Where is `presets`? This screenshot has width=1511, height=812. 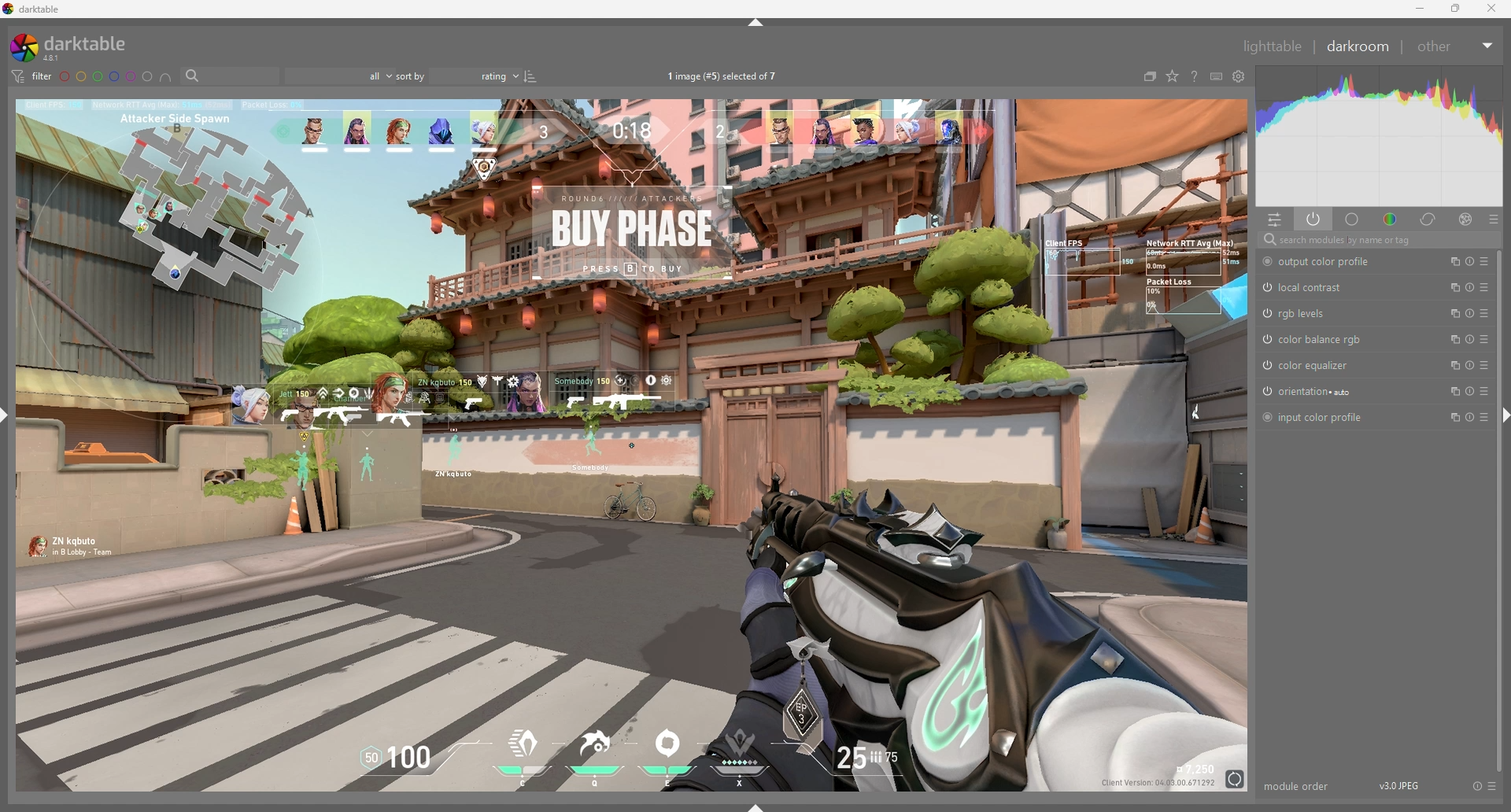
presets is located at coordinates (1485, 364).